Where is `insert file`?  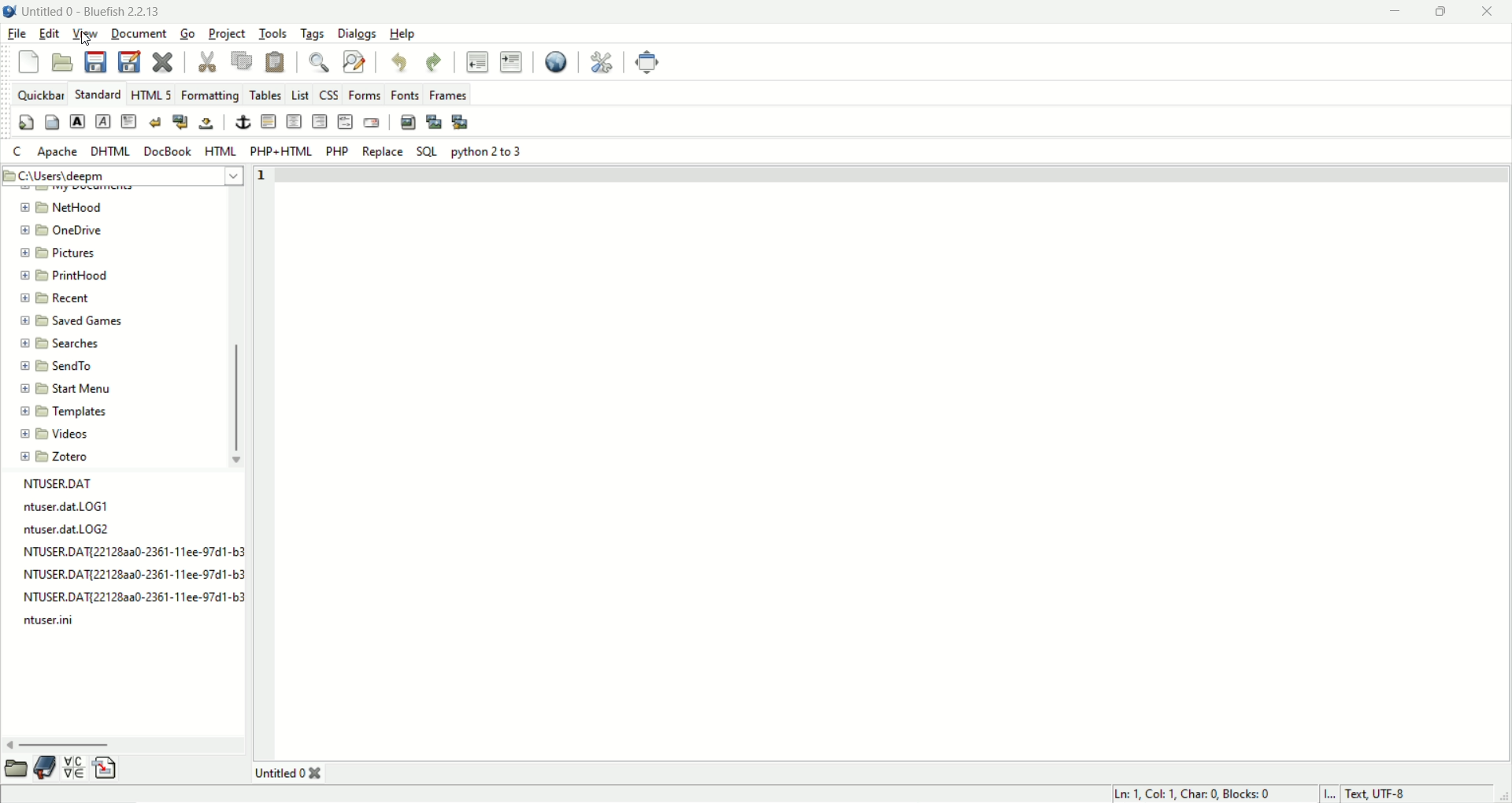
insert file is located at coordinates (107, 768).